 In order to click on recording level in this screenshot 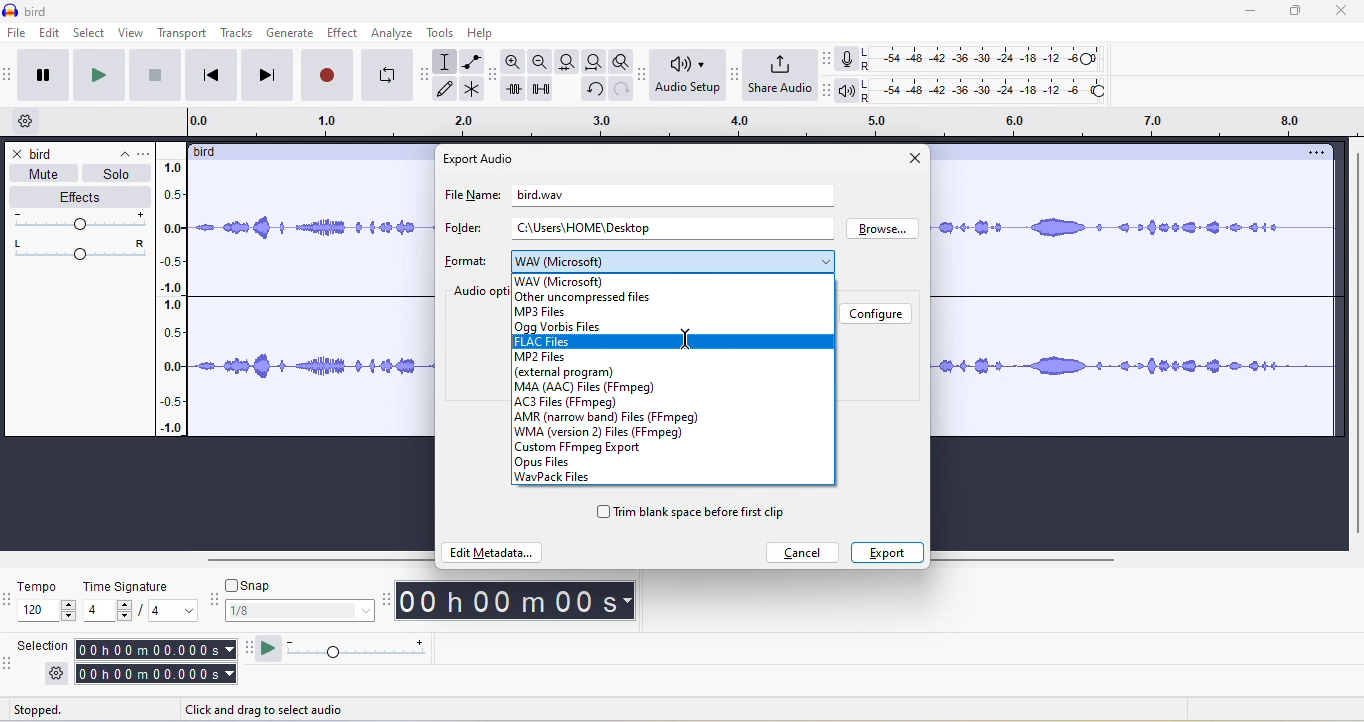, I will do `click(995, 57)`.